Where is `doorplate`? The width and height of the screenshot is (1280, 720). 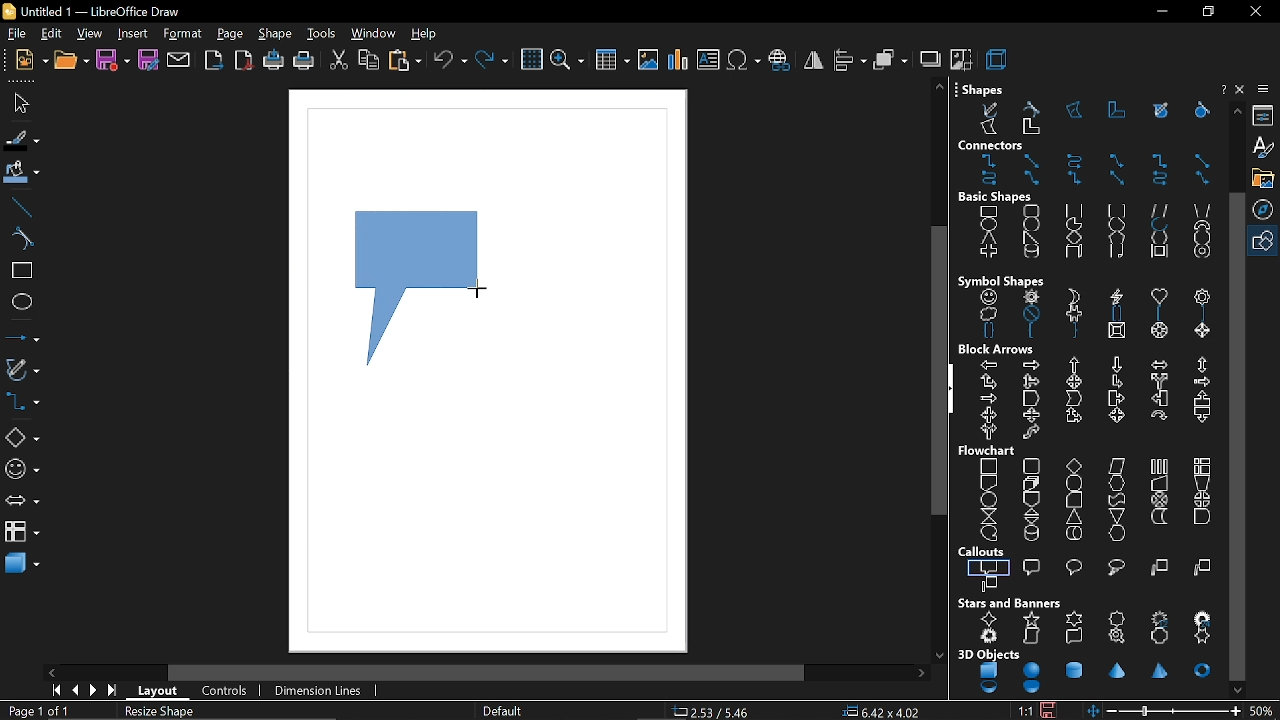 doorplate is located at coordinates (1162, 637).